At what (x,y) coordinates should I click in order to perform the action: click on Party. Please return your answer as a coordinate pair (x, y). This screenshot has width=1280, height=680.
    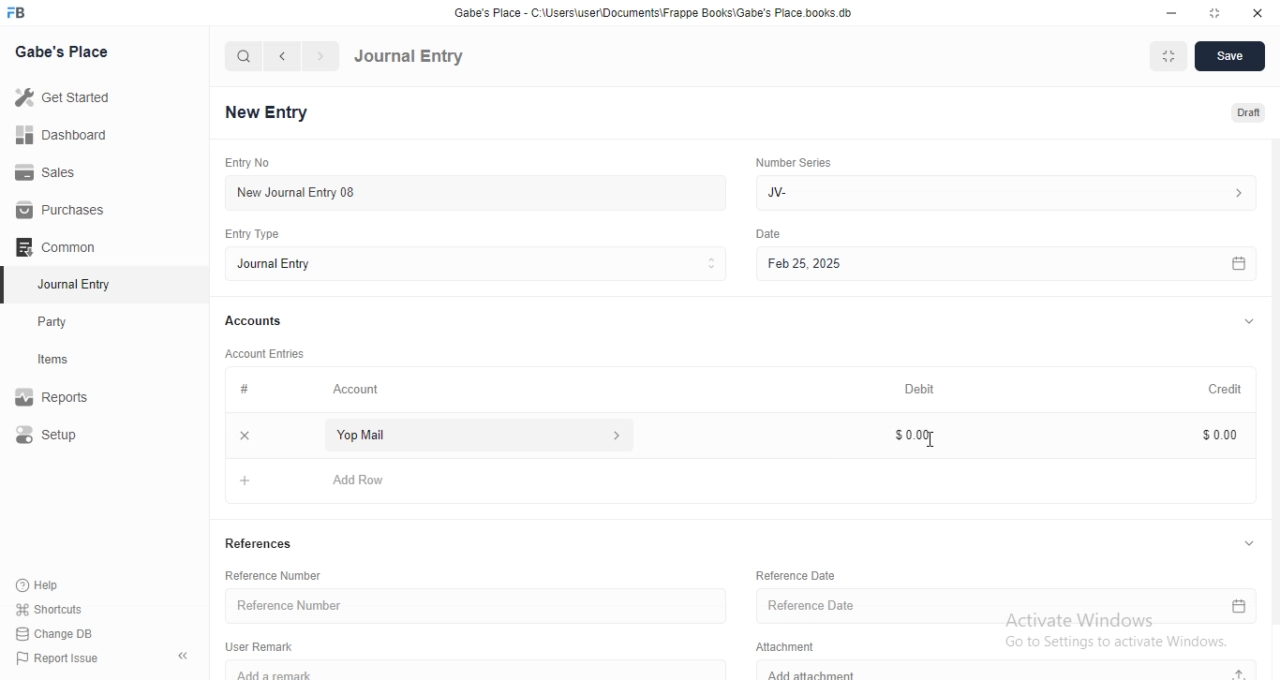
    Looking at the image, I should click on (72, 322).